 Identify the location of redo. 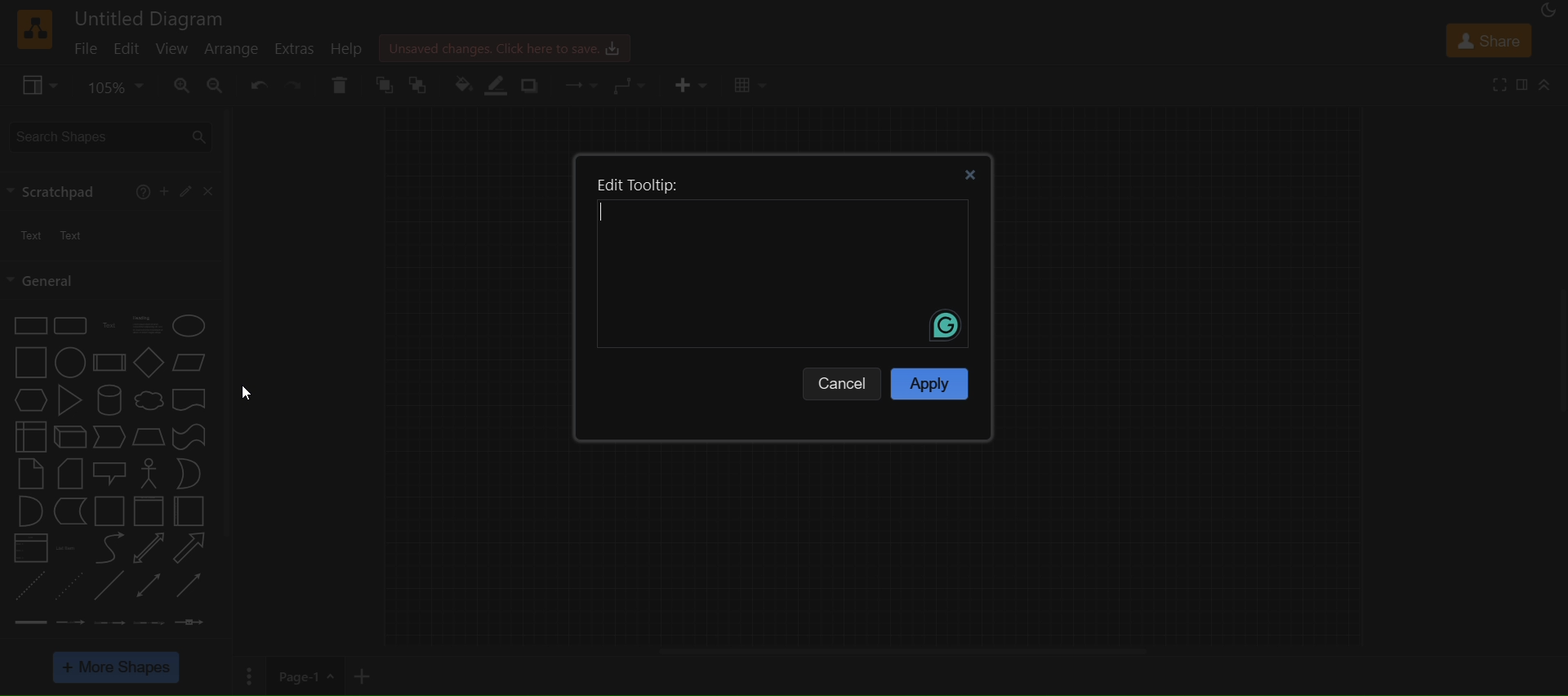
(292, 84).